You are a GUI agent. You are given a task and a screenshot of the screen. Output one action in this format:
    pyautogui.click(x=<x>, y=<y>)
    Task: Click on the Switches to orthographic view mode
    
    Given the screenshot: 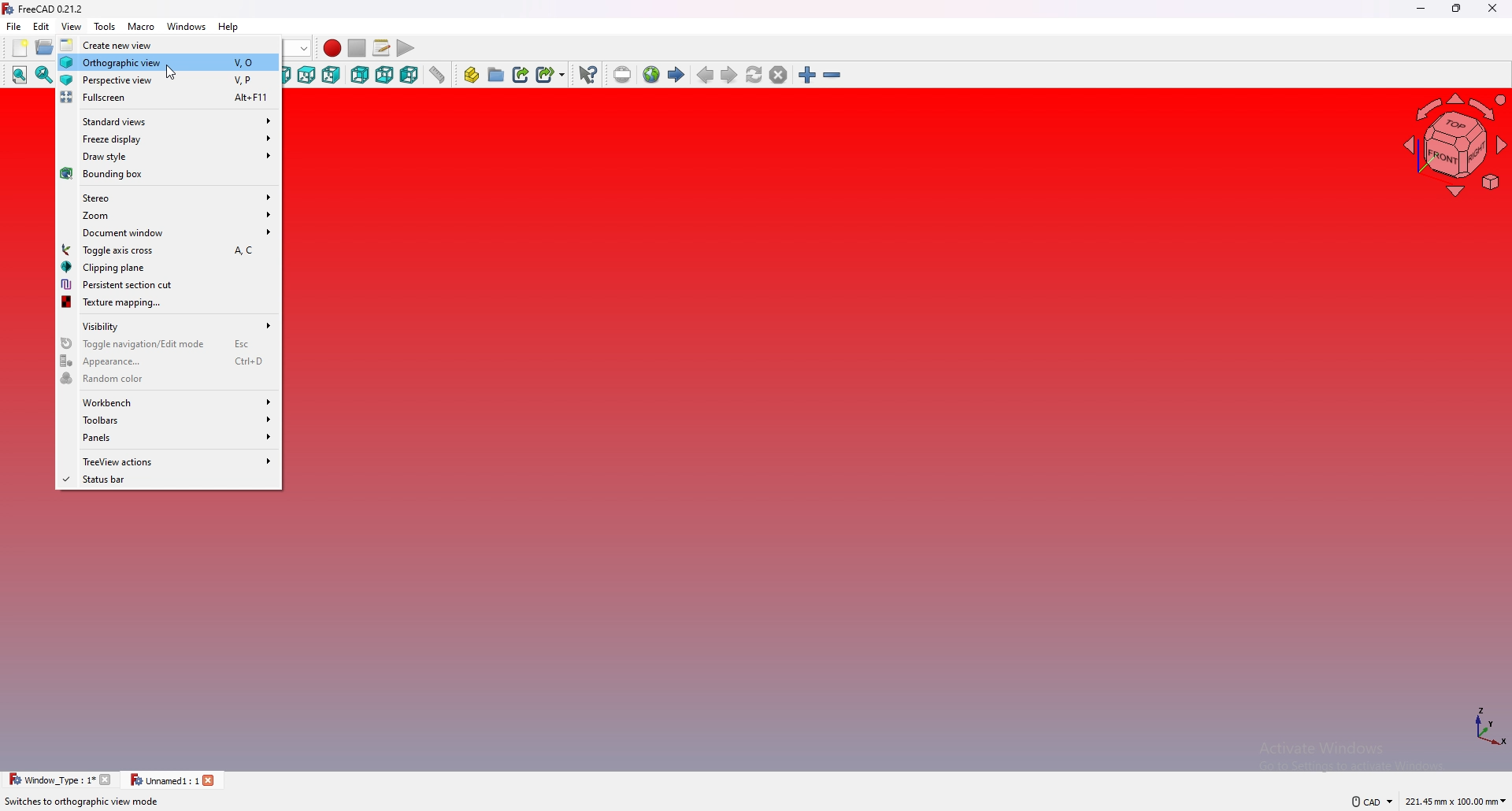 What is the action you would take?
    pyautogui.click(x=84, y=802)
    